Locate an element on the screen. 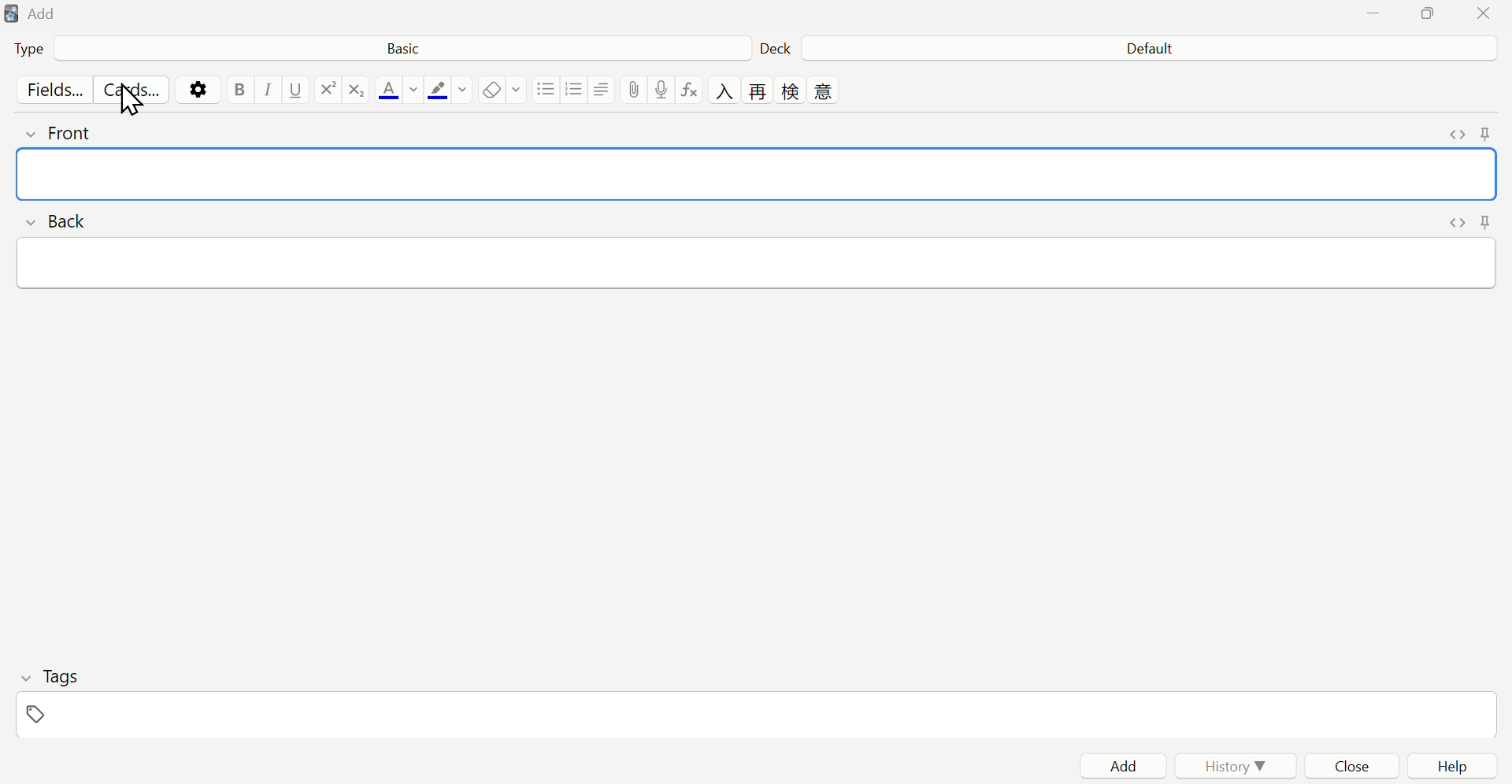 The width and height of the screenshot is (1512, 784). Basic is located at coordinates (412, 51).